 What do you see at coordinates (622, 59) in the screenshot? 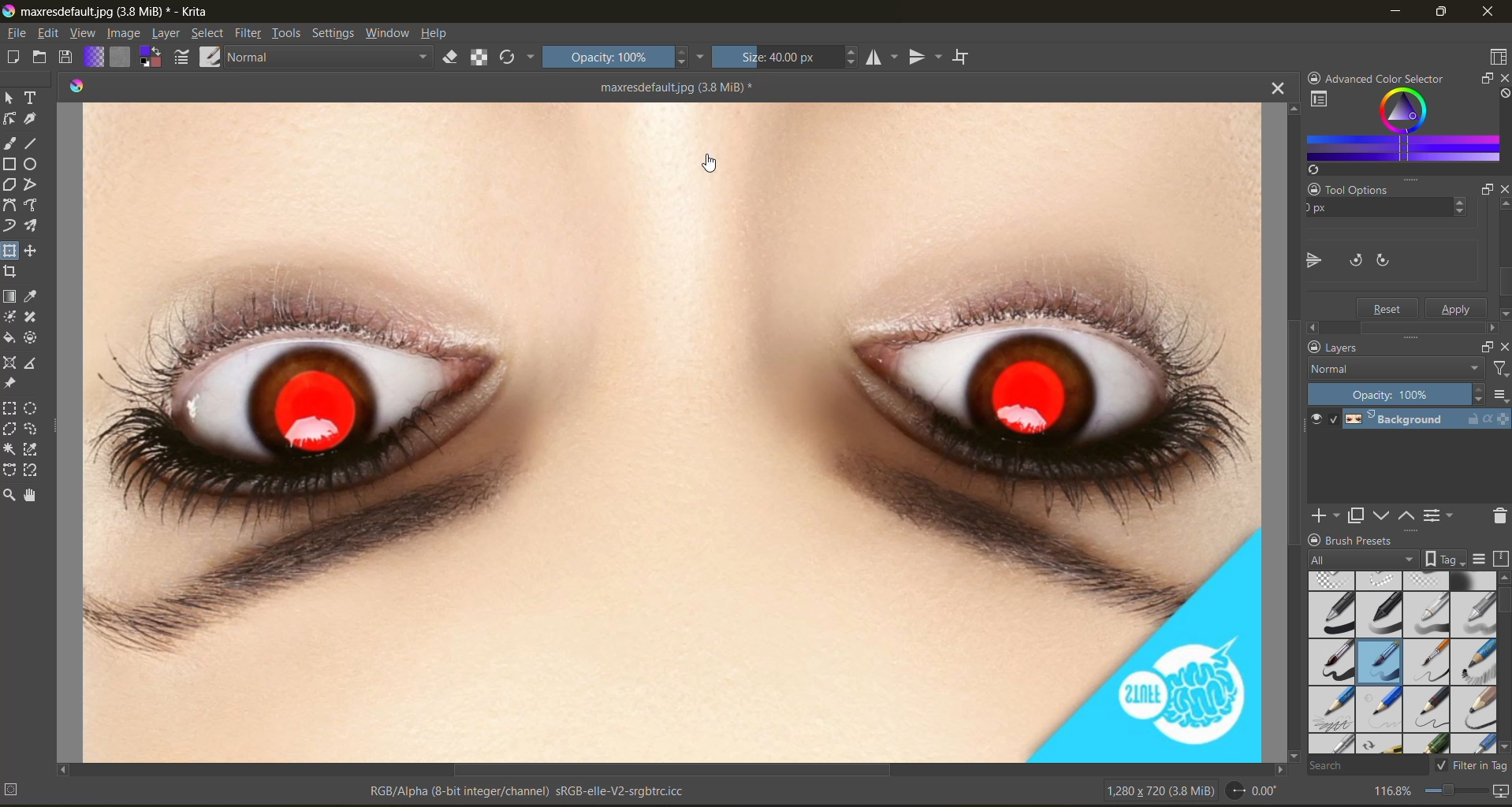
I see `opacity` at bounding box center [622, 59].